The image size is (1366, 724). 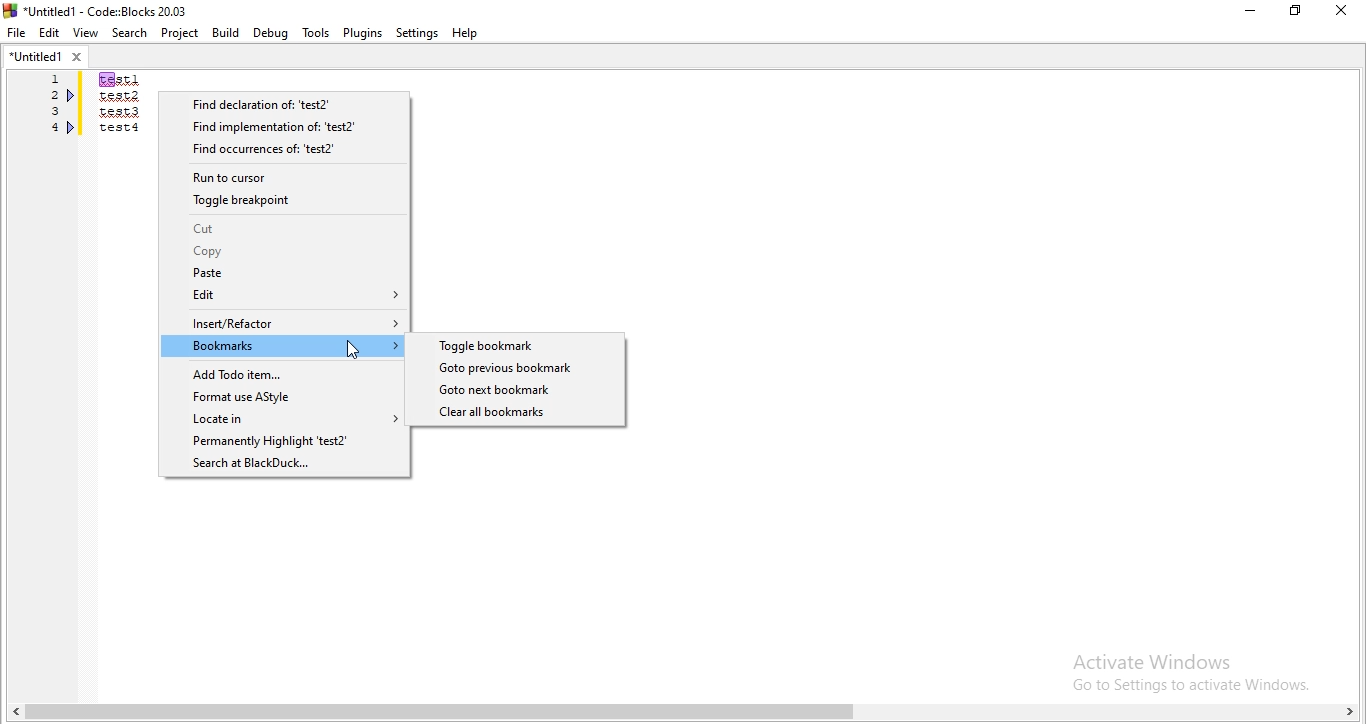 I want to click on Insert/Refactor, so click(x=285, y=322).